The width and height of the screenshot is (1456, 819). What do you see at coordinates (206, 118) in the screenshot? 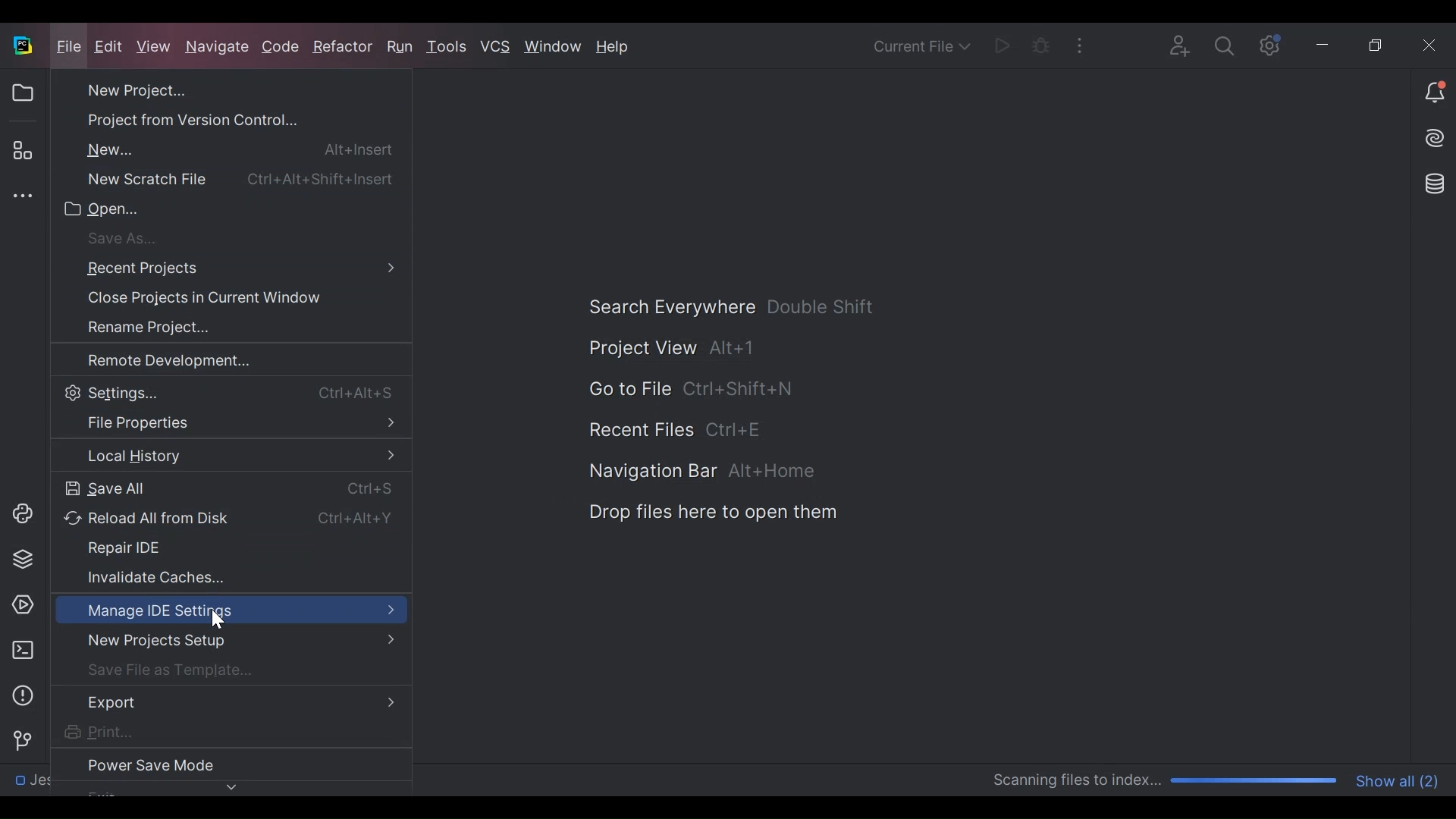
I see `Project from Version Control` at bounding box center [206, 118].